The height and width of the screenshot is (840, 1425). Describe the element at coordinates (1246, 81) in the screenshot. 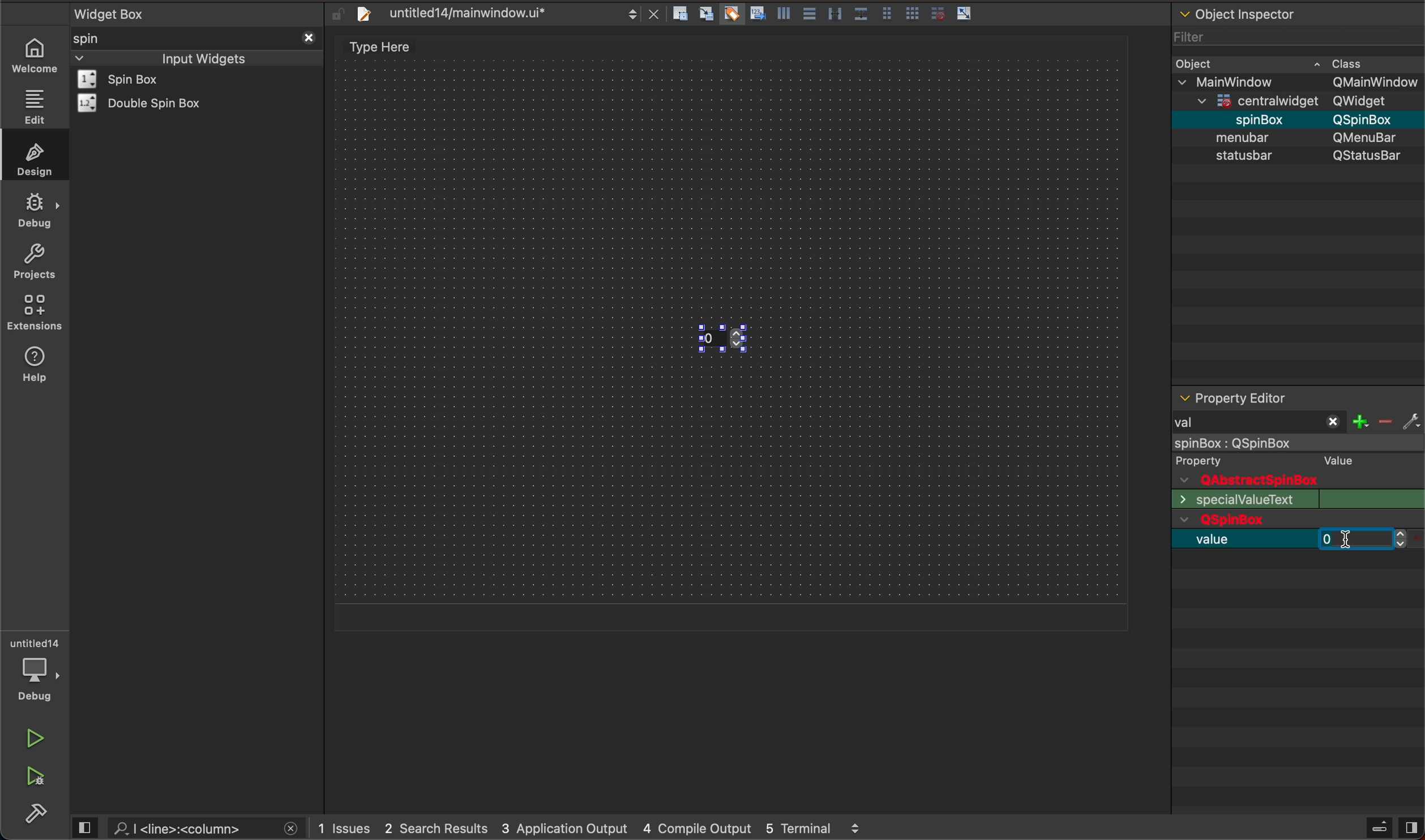

I see `` at that location.